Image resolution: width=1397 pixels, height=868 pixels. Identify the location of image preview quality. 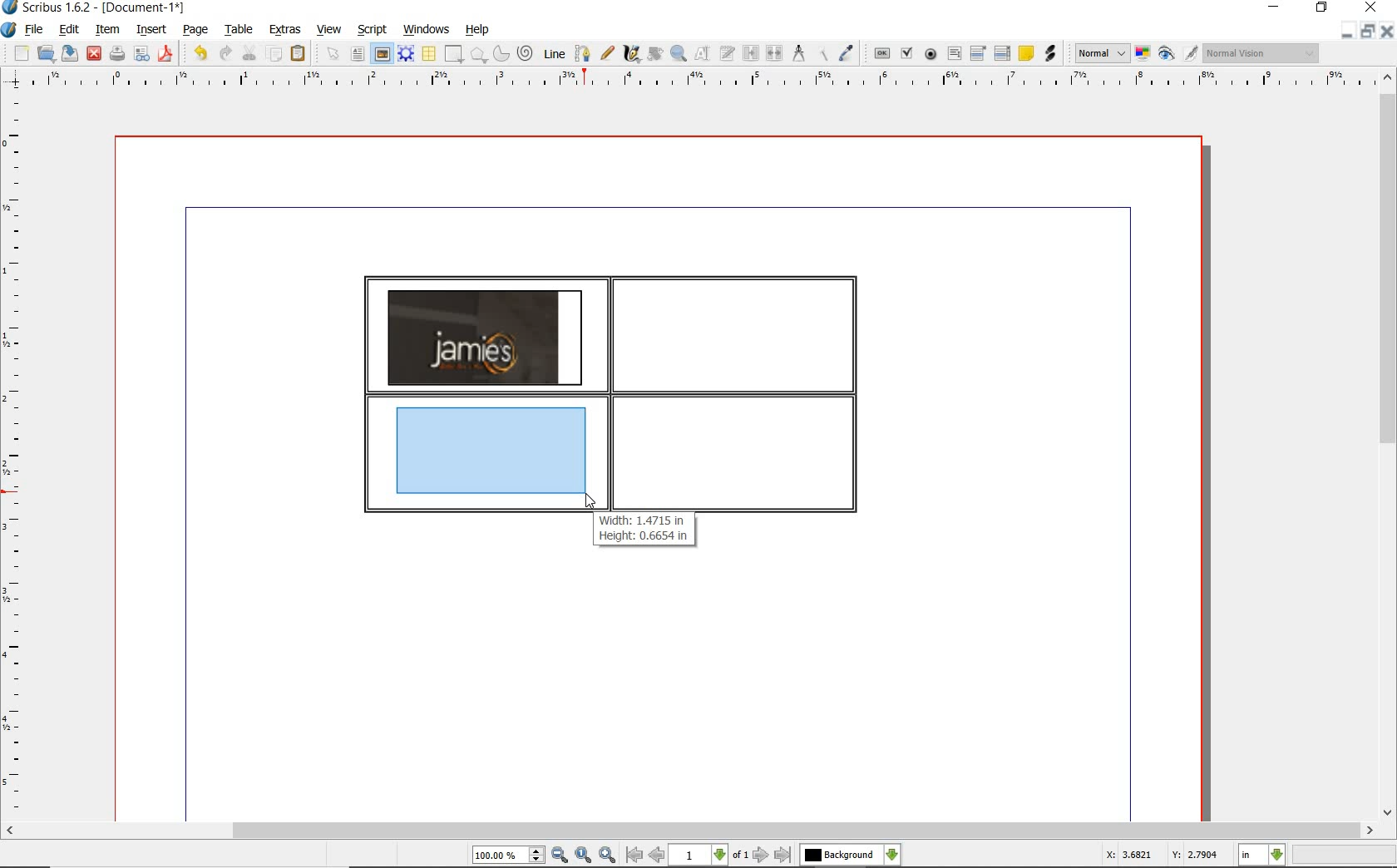
(1101, 52).